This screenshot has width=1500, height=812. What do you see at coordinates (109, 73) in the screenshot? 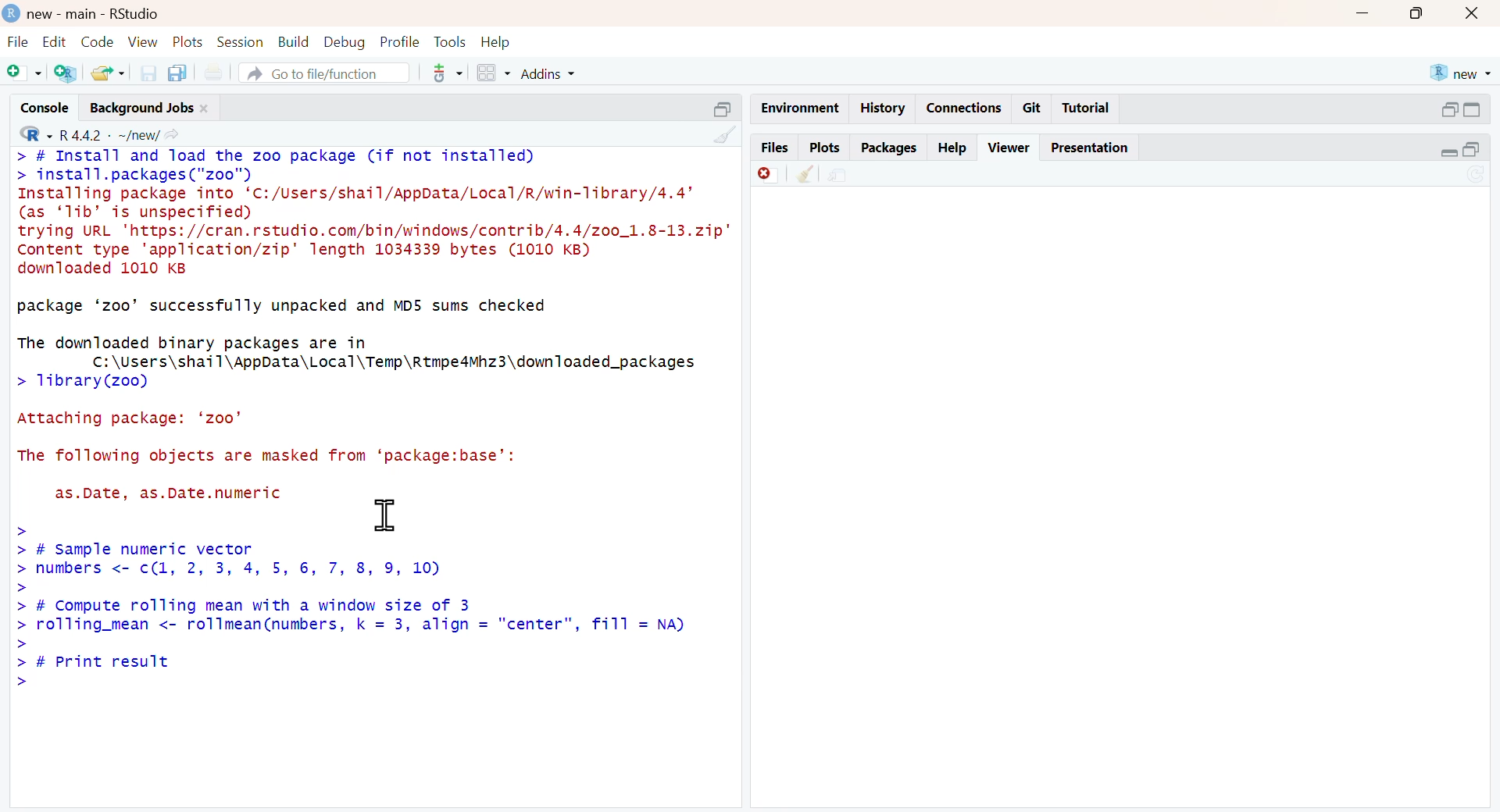
I see `share folder as` at bounding box center [109, 73].